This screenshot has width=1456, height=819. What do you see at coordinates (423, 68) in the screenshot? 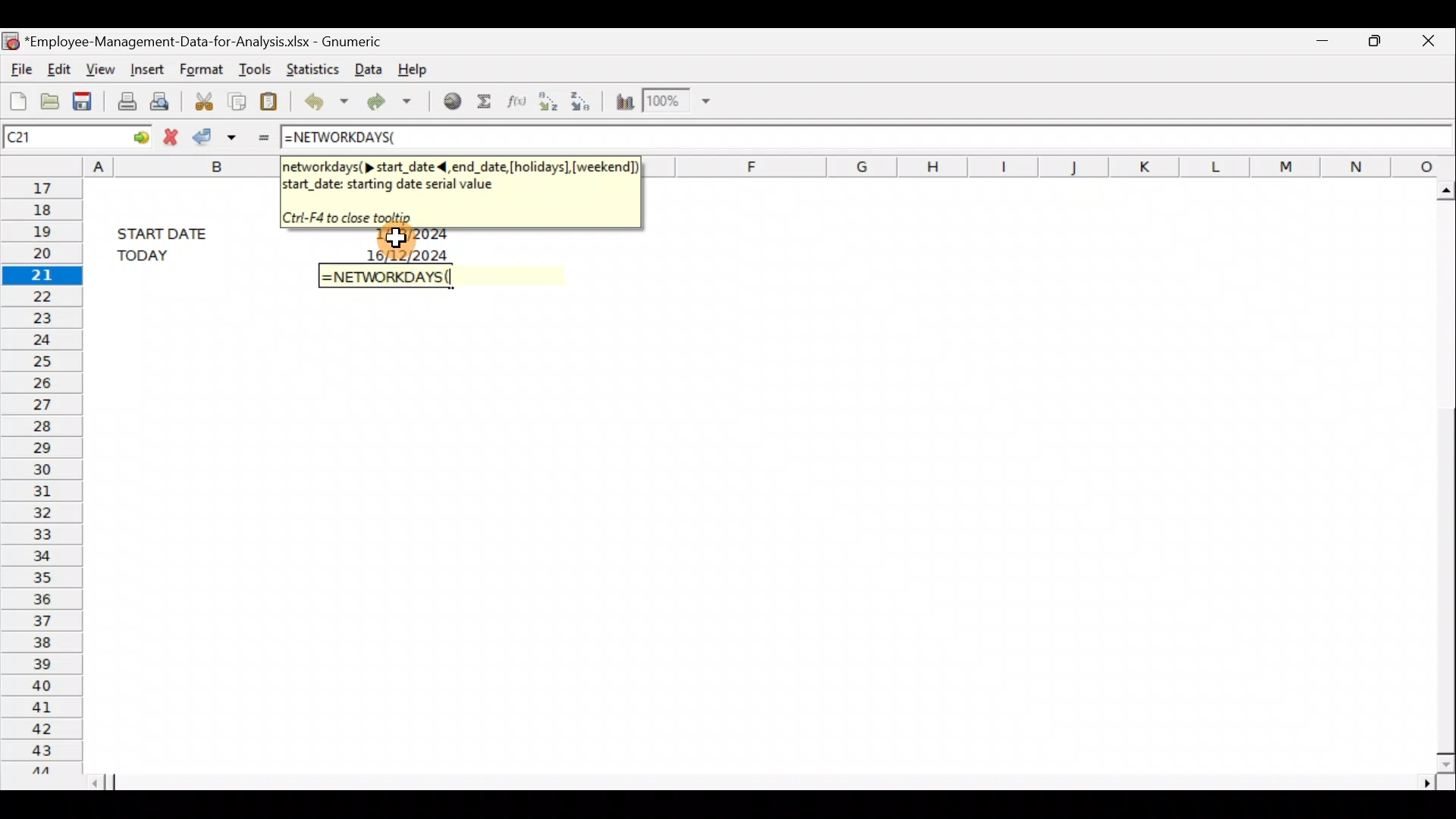
I see `Help` at bounding box center [423, 68].